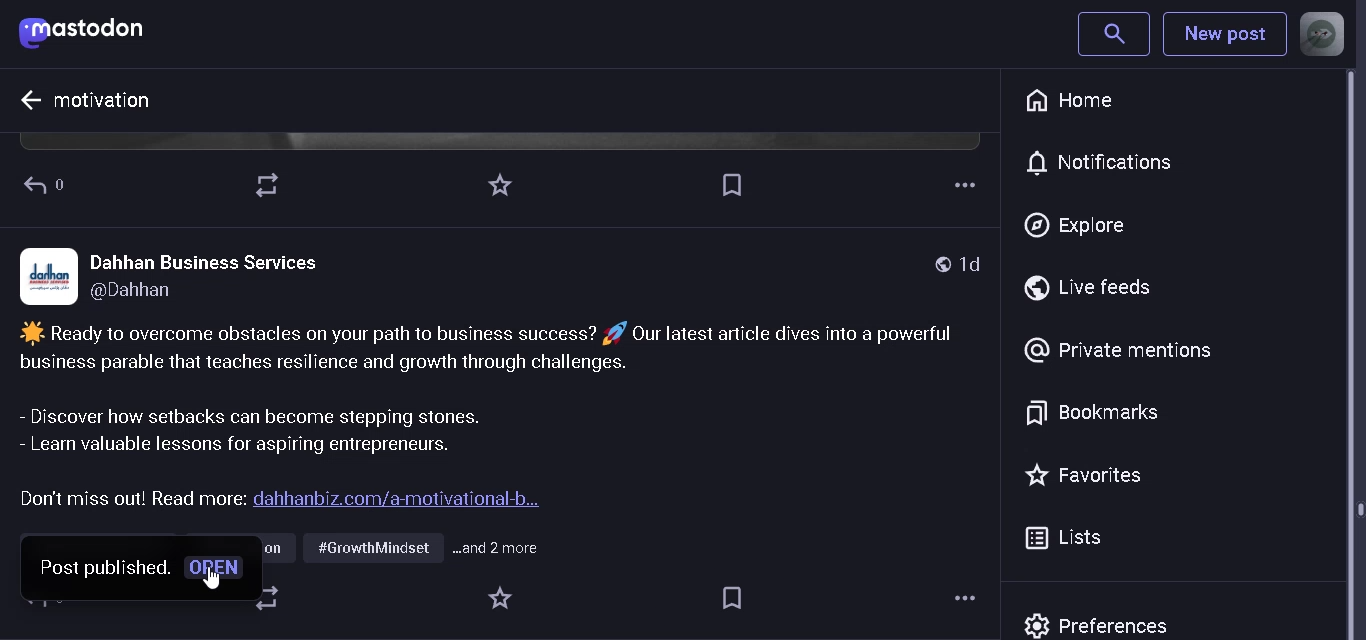  Describe the element at coordinates (89, 33) in the screenshot. I see `mastodon` at that location.